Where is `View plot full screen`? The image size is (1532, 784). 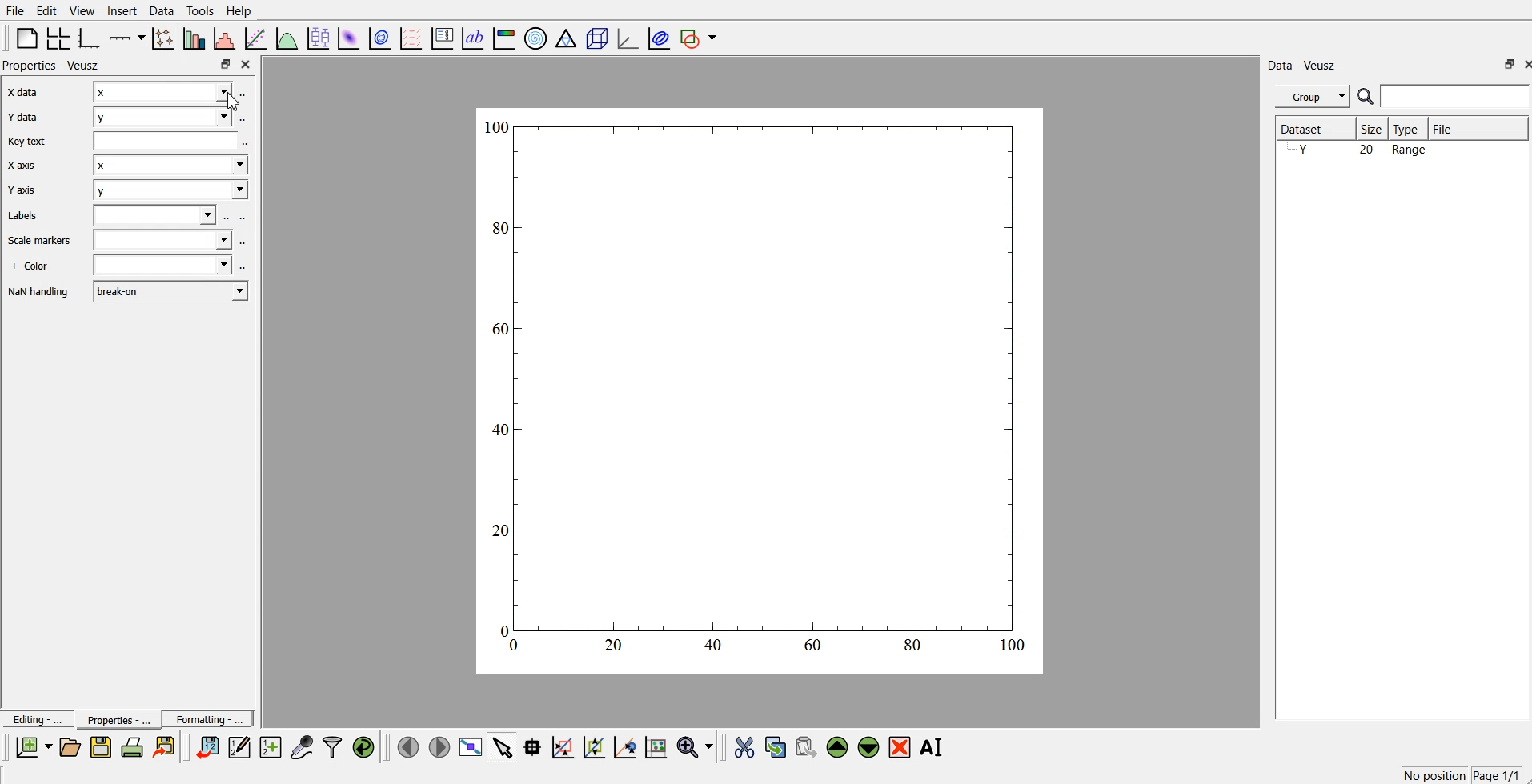
View plot full screen is located at coordinates (471, 746).